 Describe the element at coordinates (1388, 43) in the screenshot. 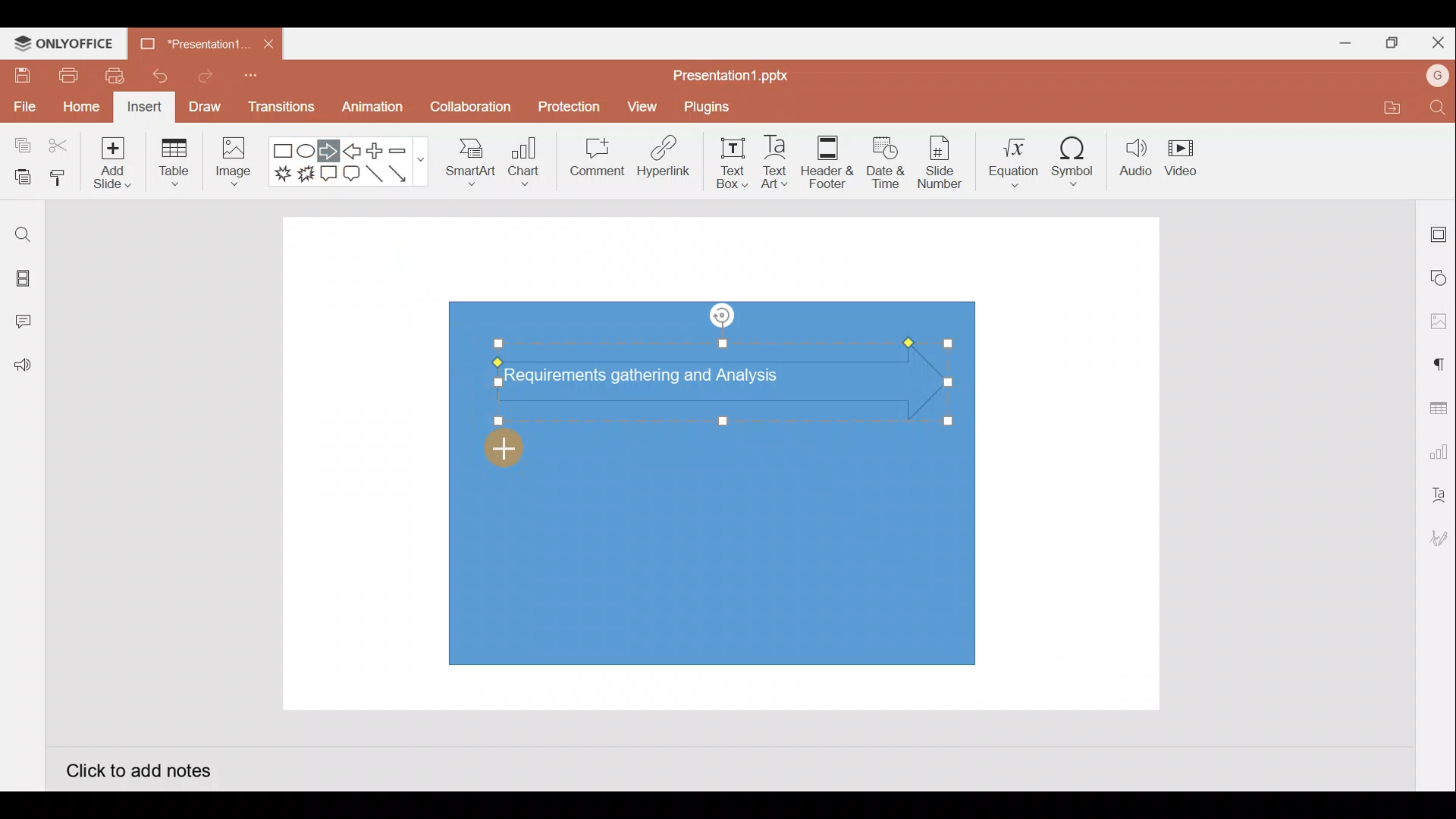

I see `Maximise` at that location.